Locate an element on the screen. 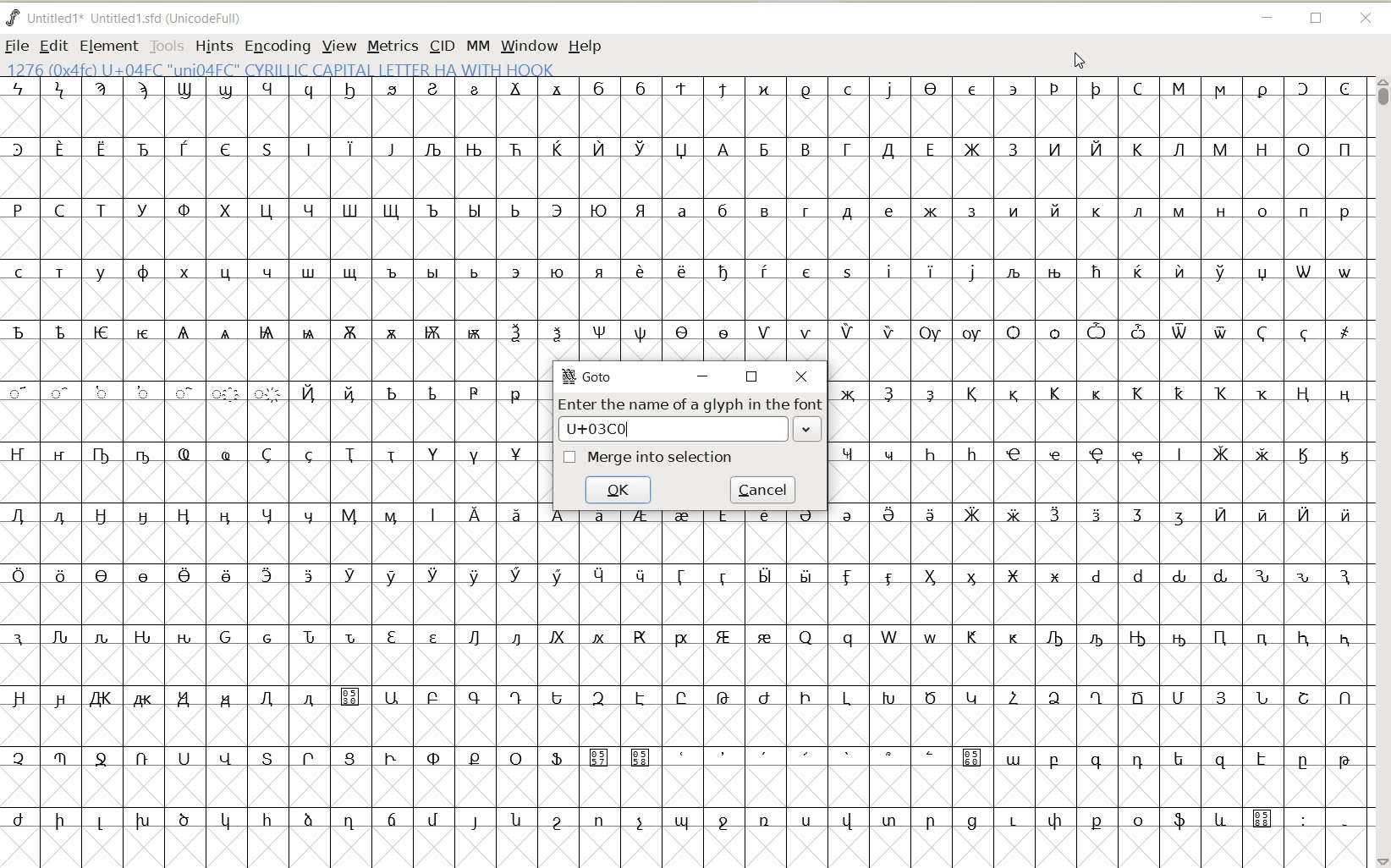 The width and height of the screenshot is (1391, 868). ENCODING is located at coordinates (278, 45).